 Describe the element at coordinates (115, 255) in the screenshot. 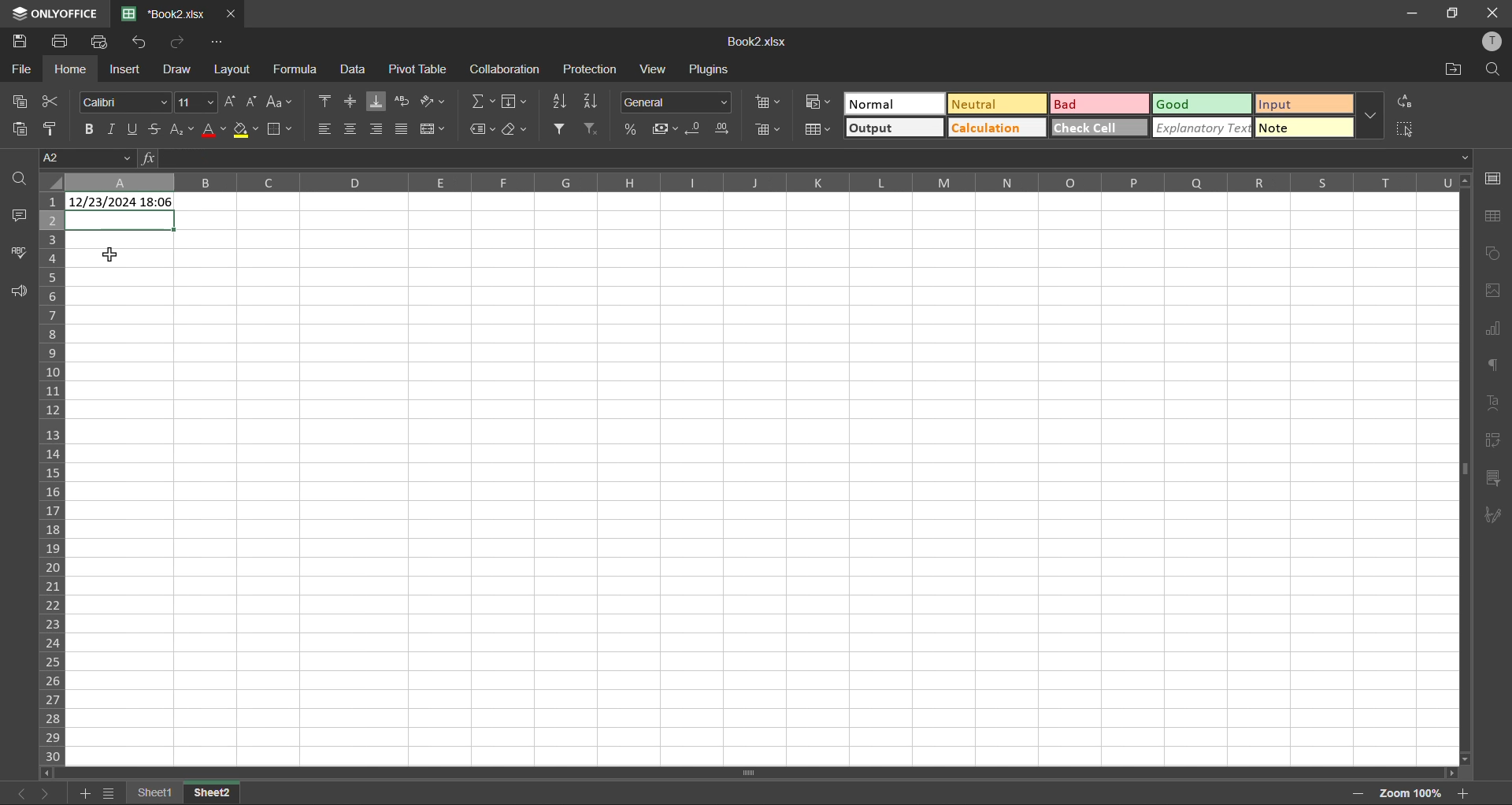

I see `cursor` at that location.